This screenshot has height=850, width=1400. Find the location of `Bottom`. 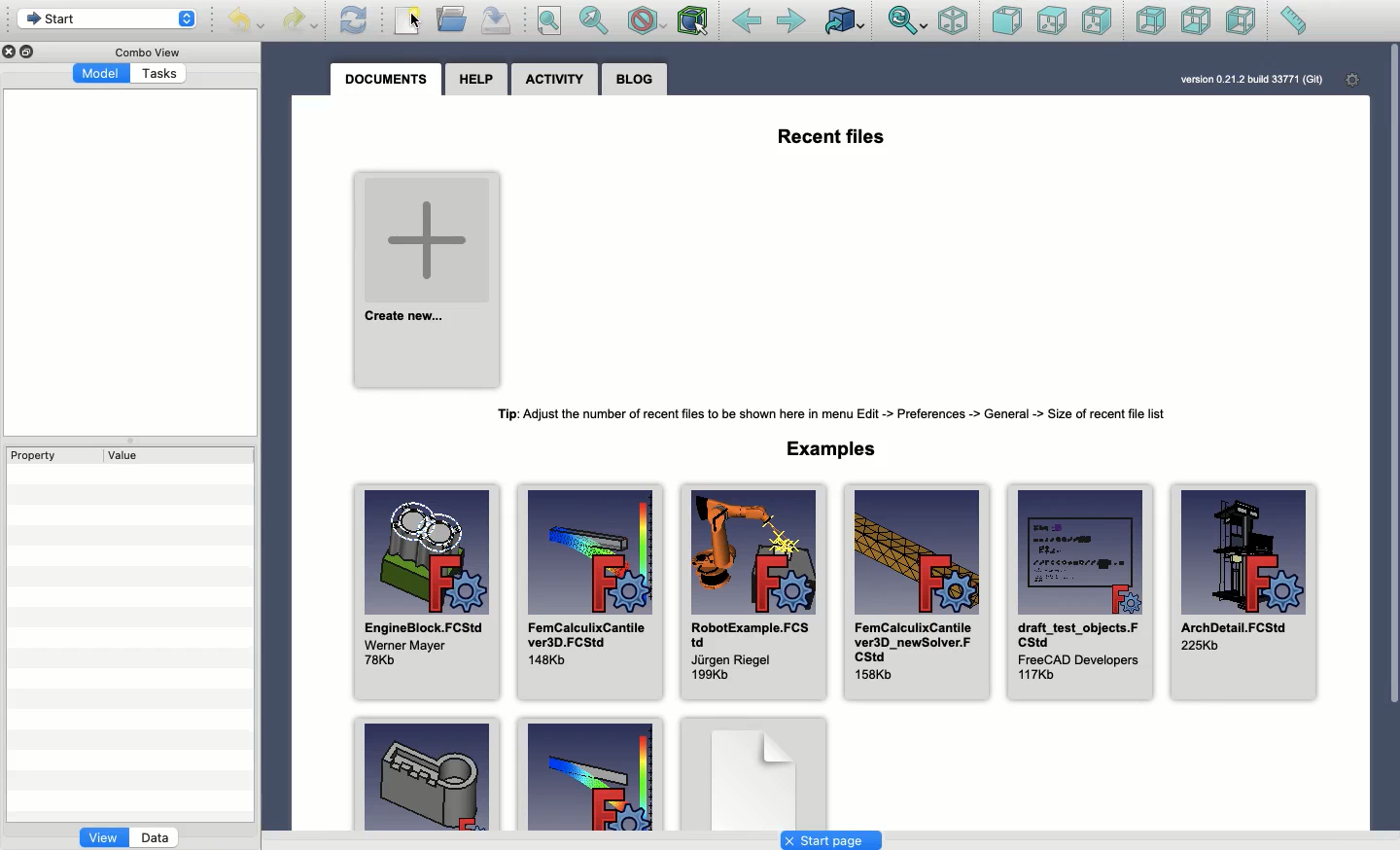

Bottom is located at coordinates (1196, 22).